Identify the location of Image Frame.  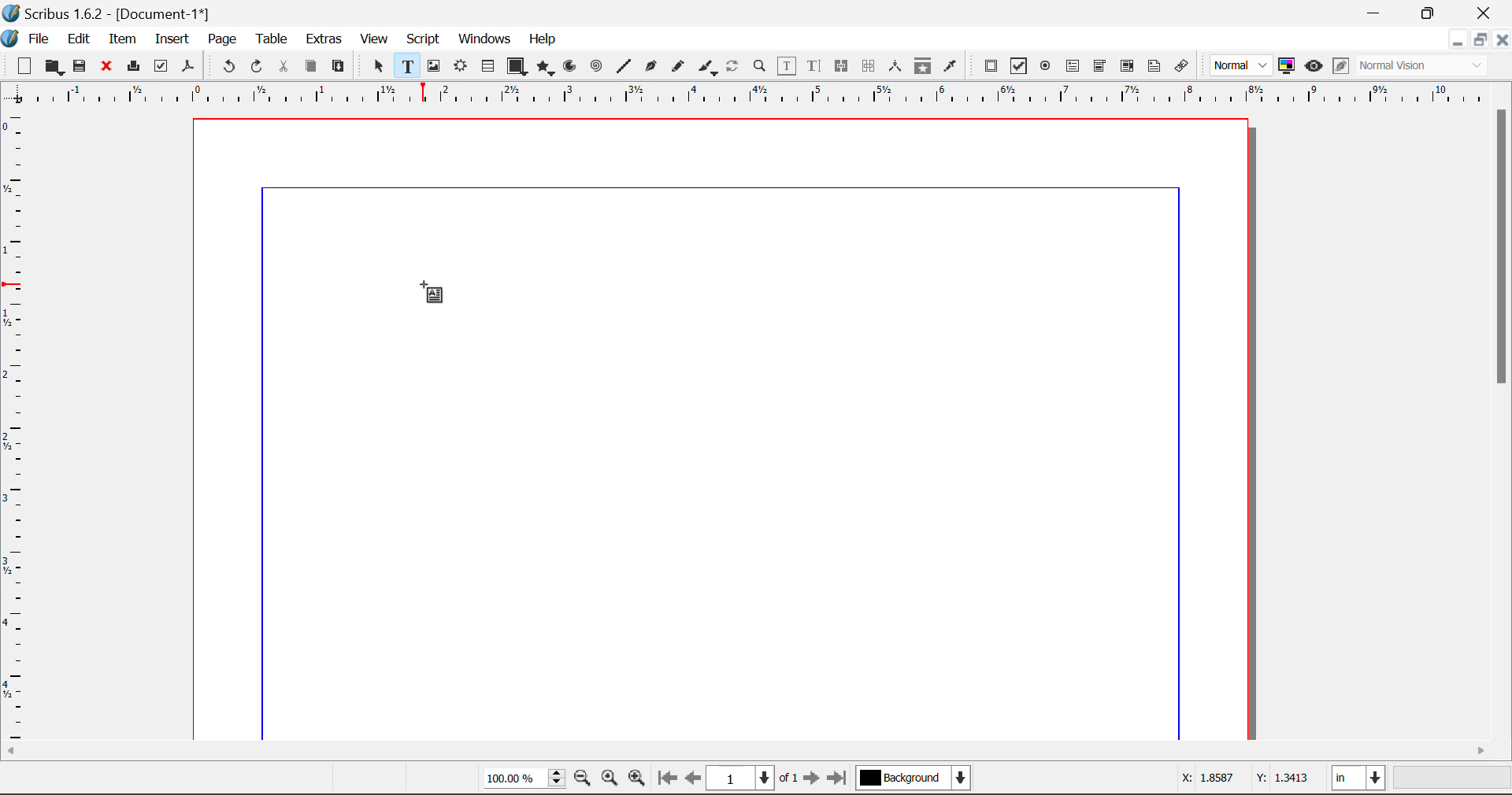
(433, 66).